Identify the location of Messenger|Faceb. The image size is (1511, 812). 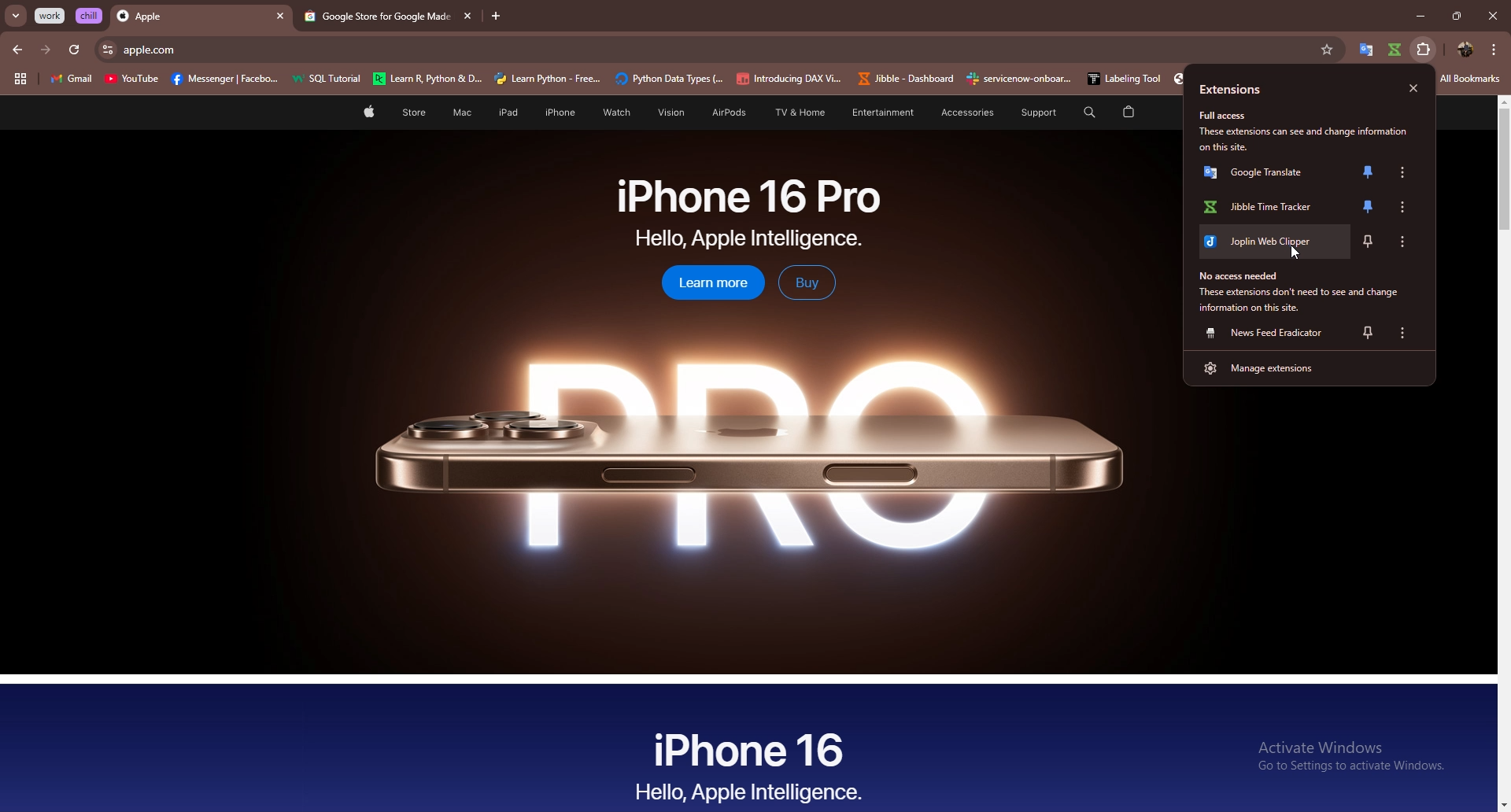
(227, 79).